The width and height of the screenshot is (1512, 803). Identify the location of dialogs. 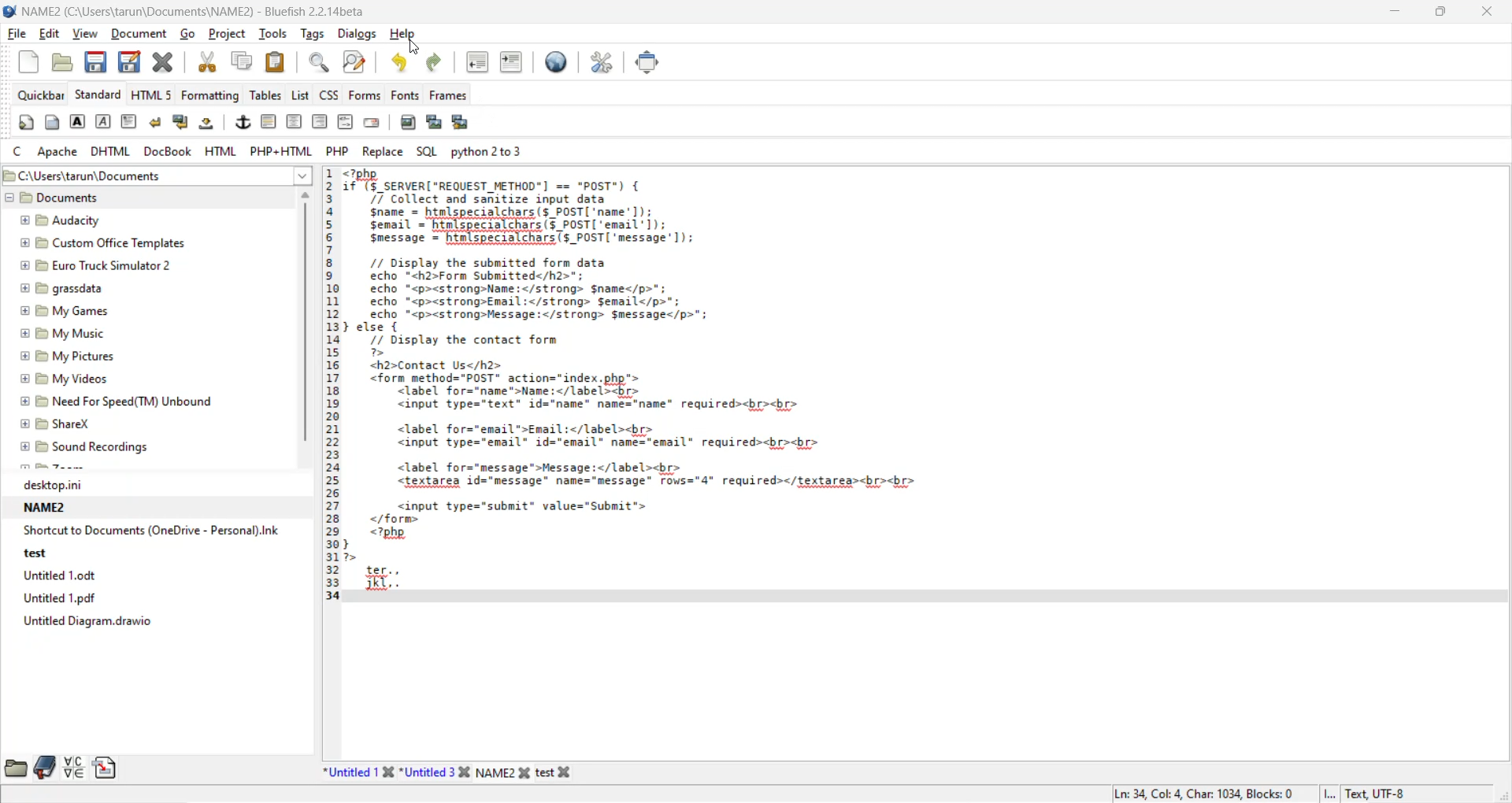
(359, 34).